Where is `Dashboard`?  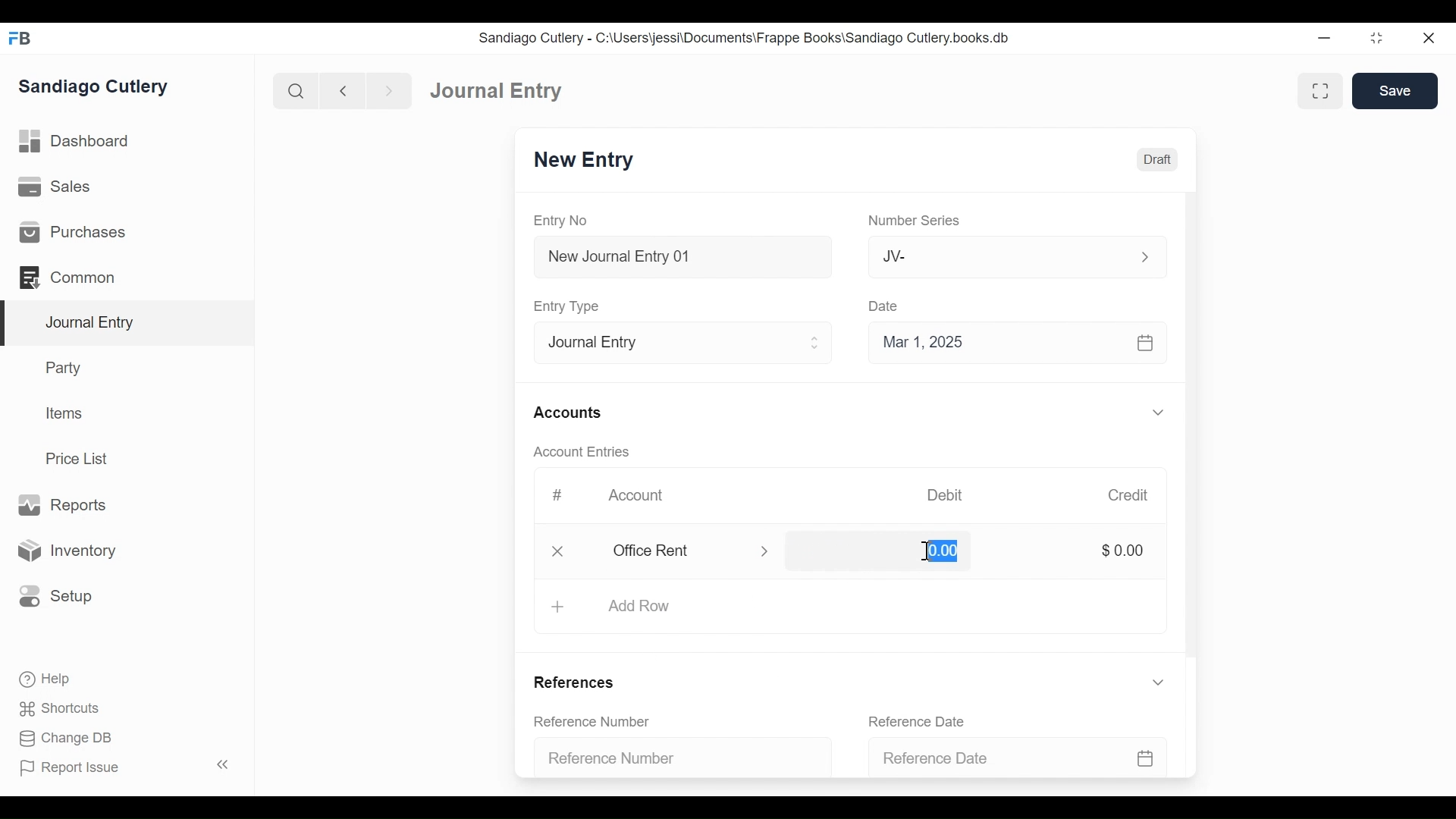 Dashboard is located at coordinates (491, 89).